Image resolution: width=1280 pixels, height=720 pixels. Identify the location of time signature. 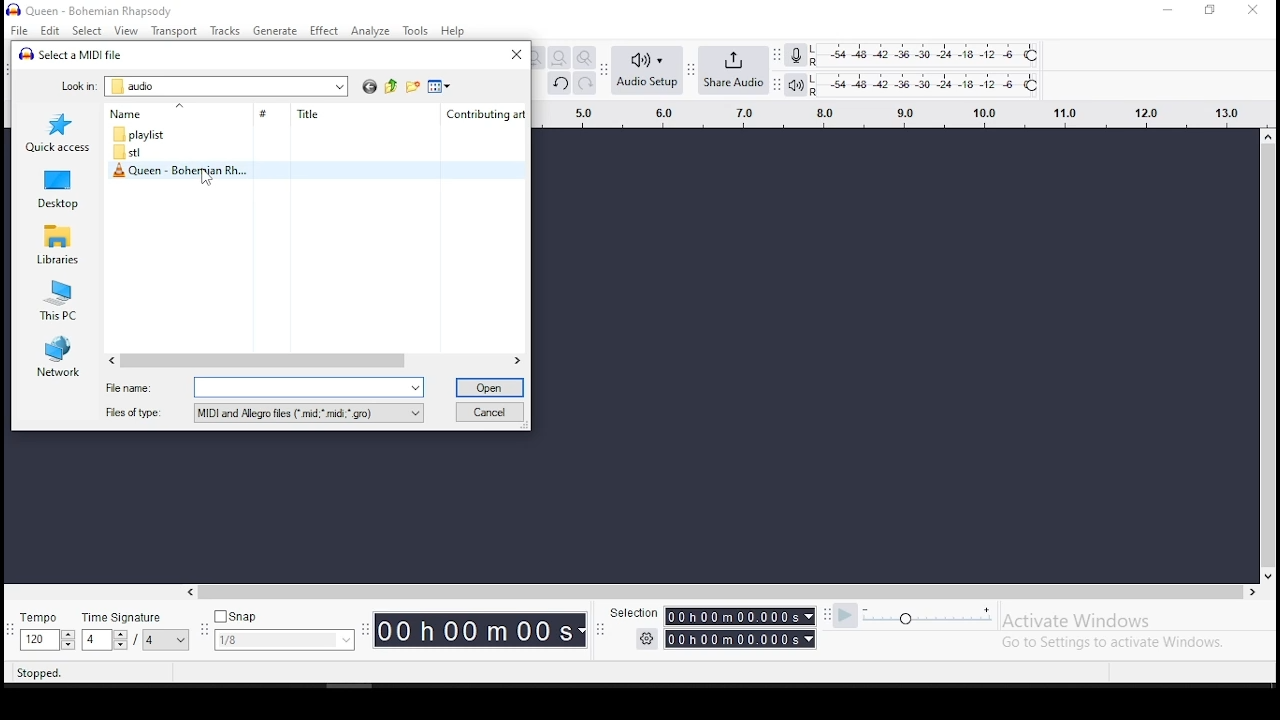
(138, 632).